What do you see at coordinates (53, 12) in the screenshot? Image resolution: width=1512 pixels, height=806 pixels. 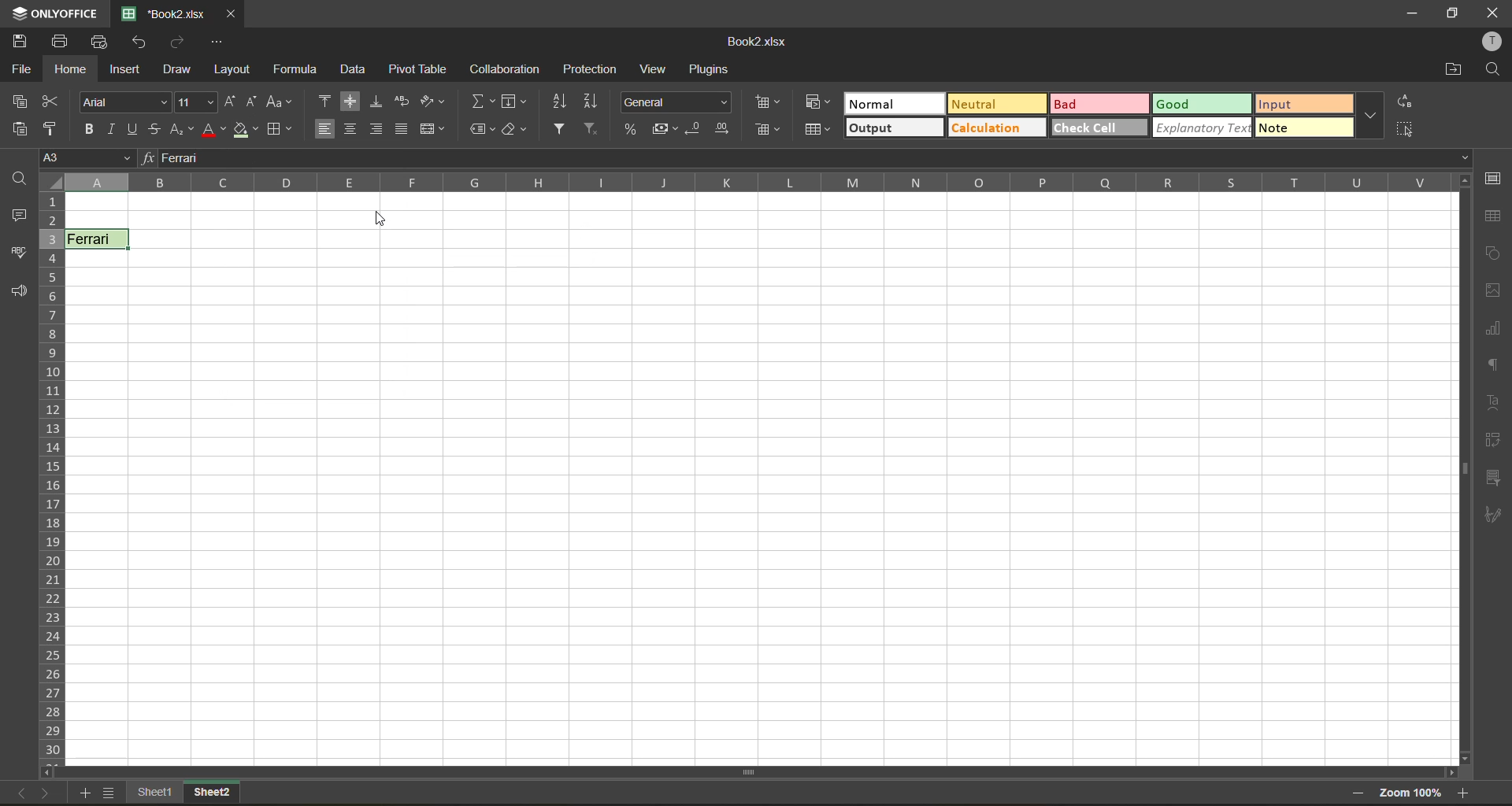 I see `app name` at bounding box center [53, 12].